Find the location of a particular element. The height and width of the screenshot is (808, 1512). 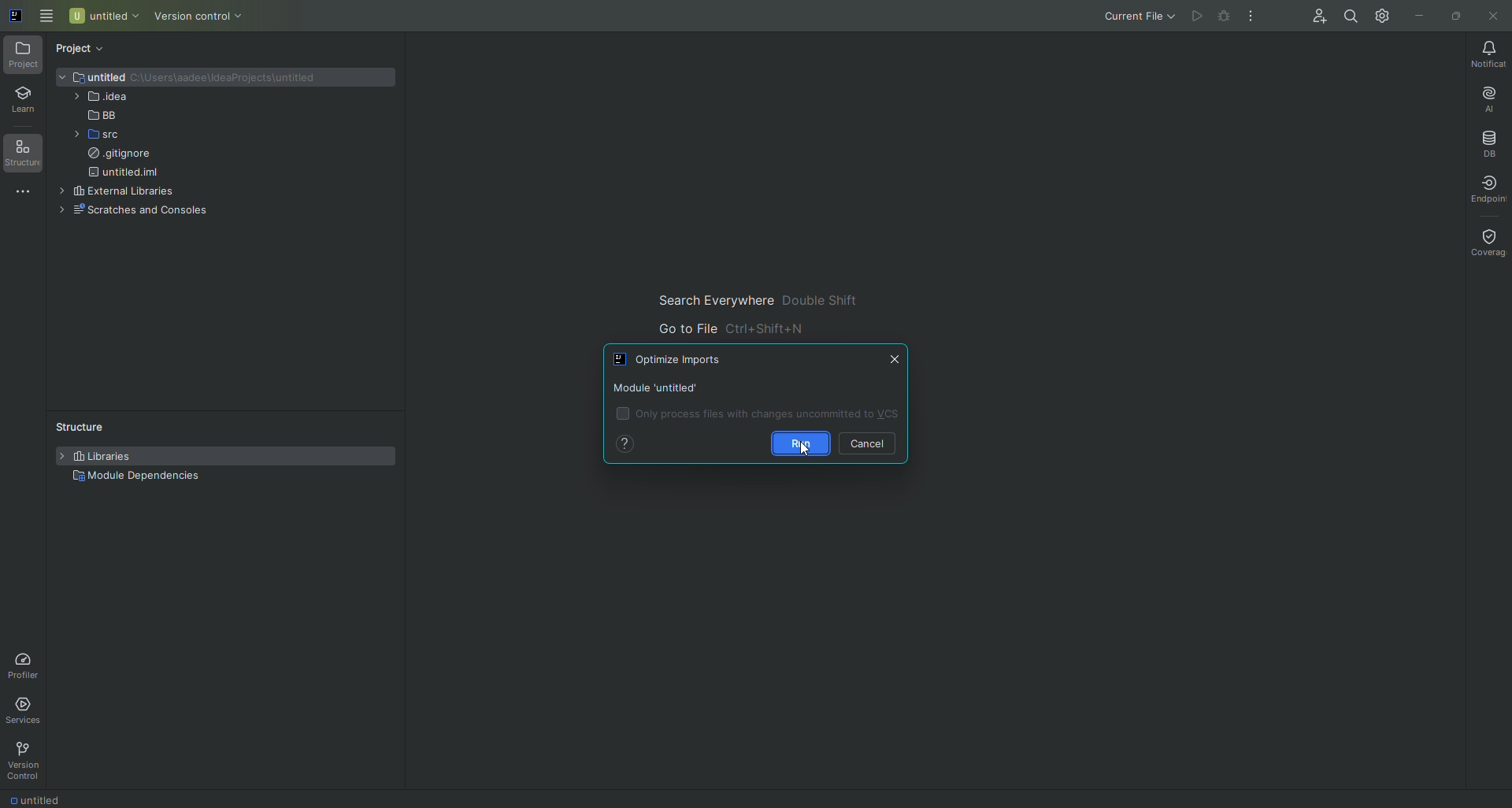

Profiler is located at coordinates (25, 665).